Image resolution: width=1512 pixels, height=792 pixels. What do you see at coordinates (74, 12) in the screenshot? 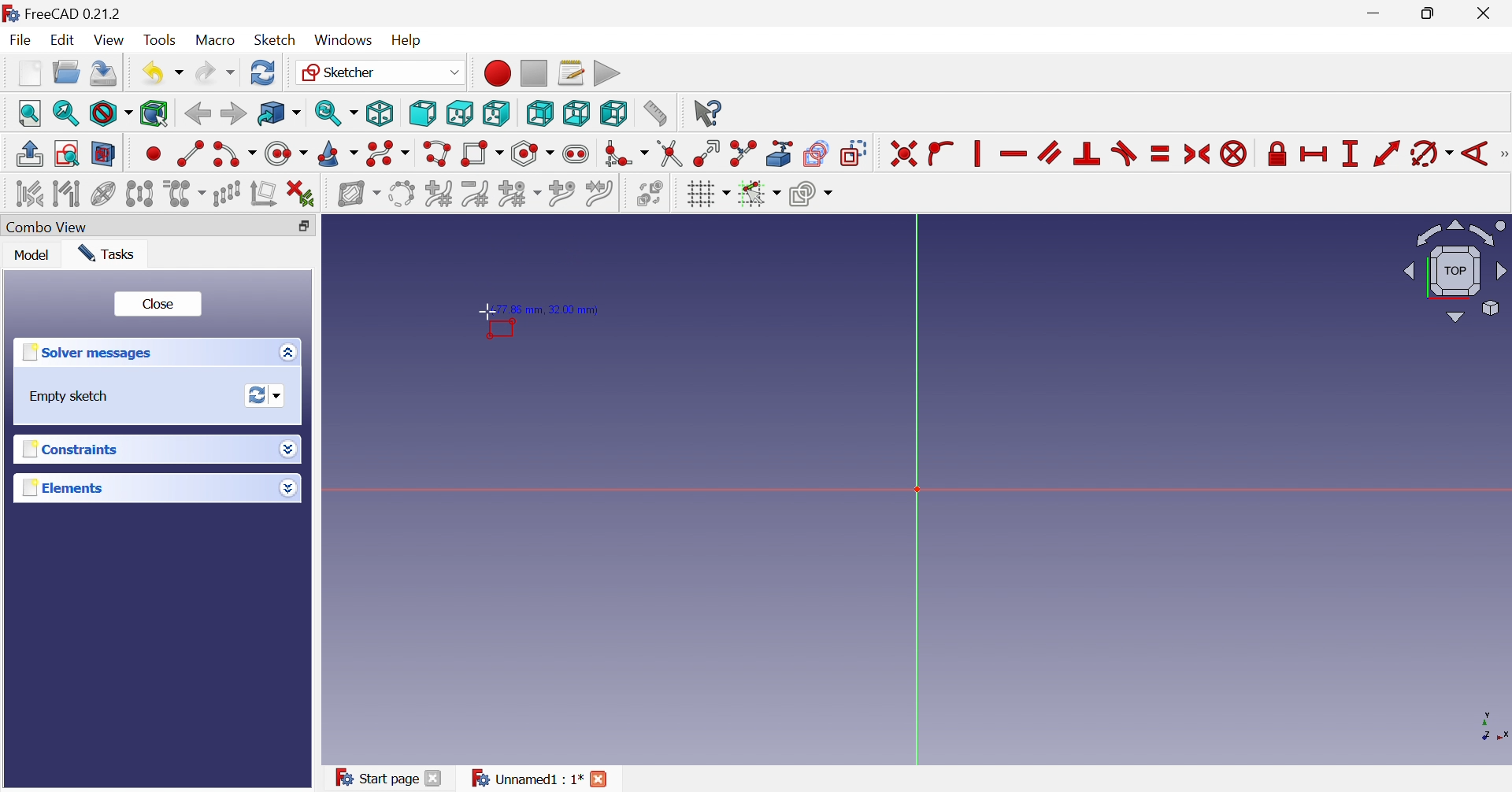
I see `Free CAD0.21.2` at bounding box center [74, 12].